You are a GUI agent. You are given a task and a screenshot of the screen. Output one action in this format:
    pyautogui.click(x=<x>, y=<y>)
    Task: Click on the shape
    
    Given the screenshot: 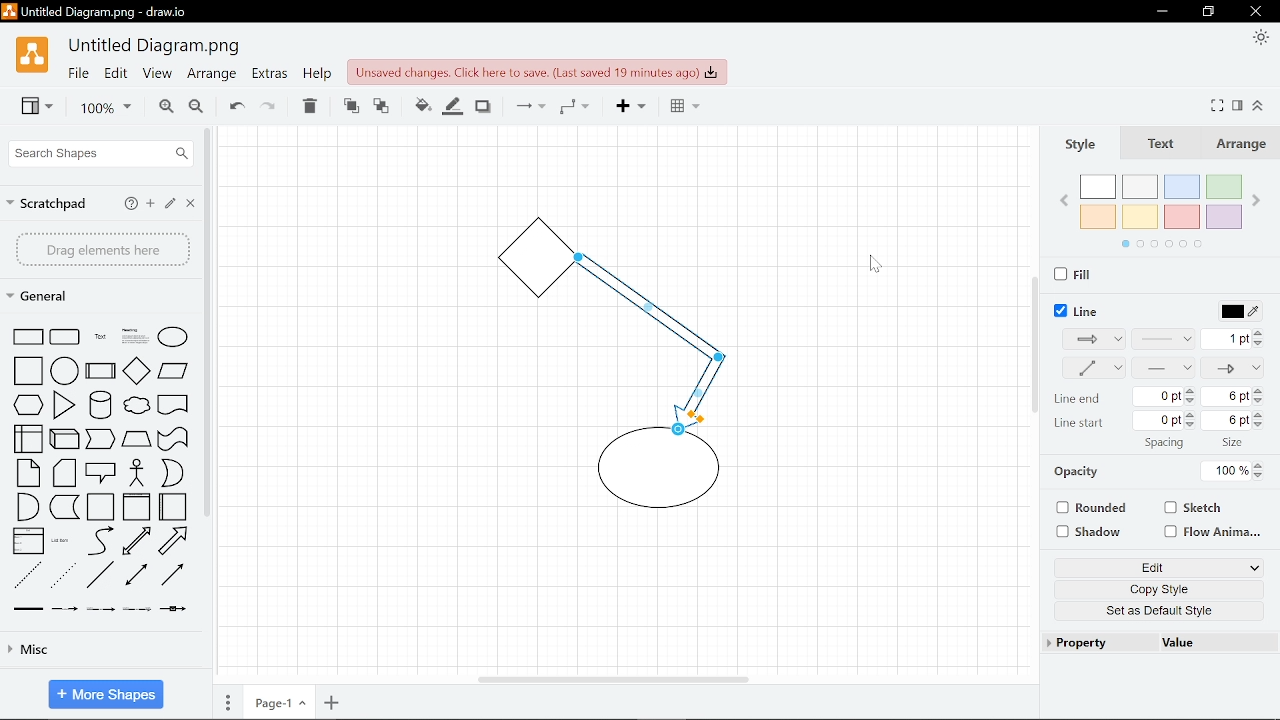 What is the action you would take?
    pyautogui.click(x=173, y=474)
    